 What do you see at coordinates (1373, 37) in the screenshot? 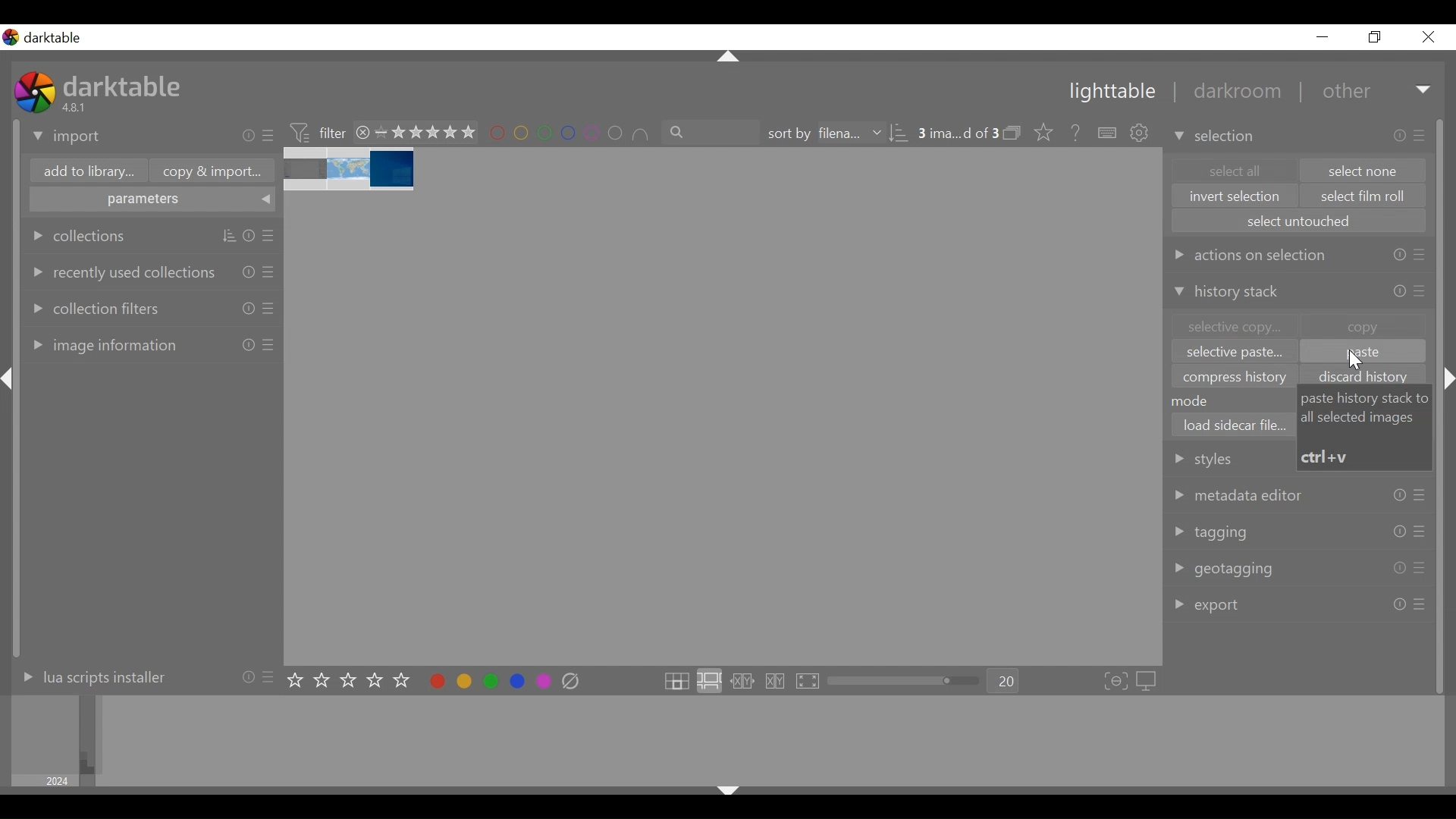
I see `restore` at bounding box center [1373, 37].